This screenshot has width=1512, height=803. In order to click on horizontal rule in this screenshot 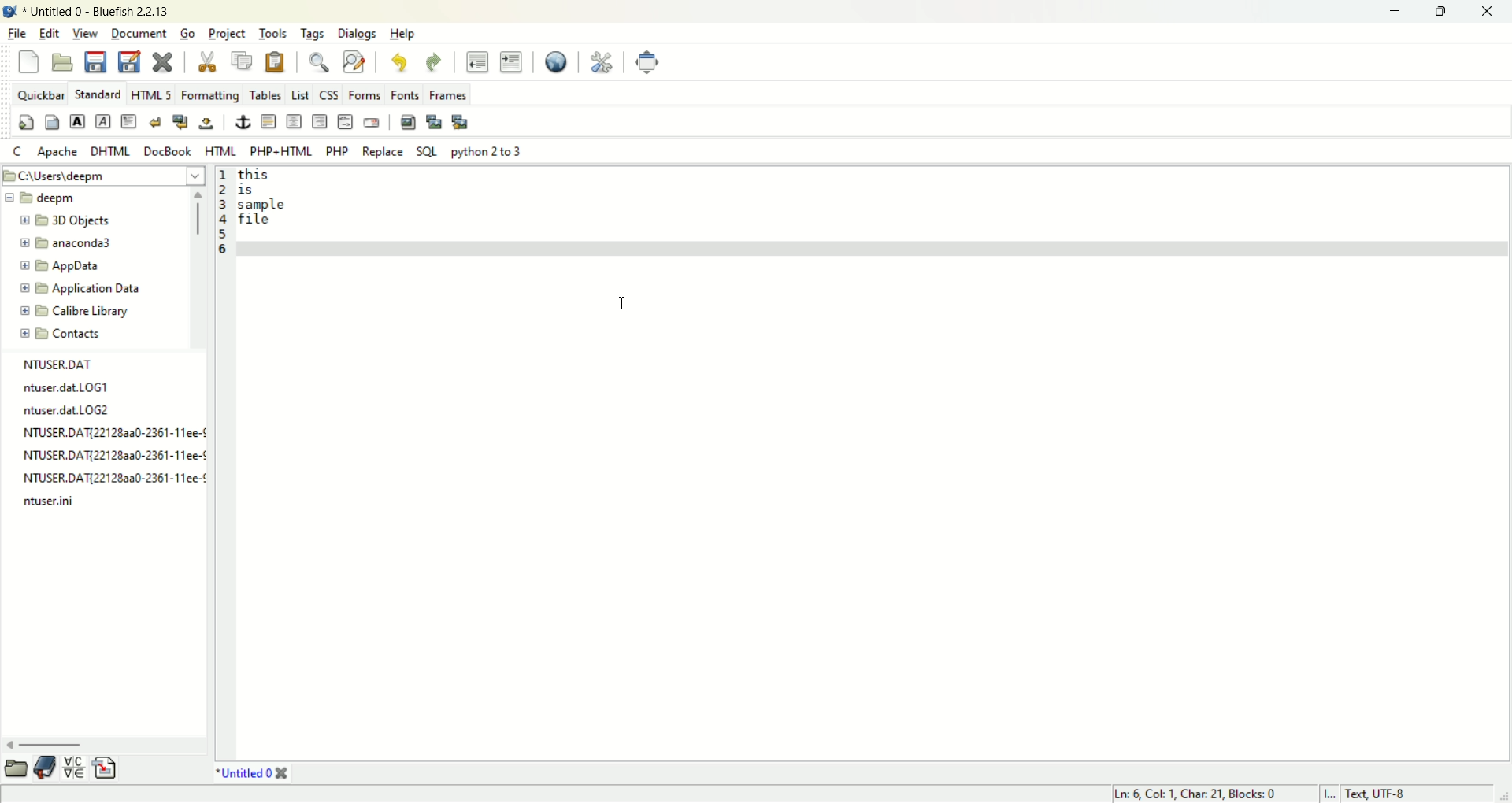, I will do `click(268, 121)`.